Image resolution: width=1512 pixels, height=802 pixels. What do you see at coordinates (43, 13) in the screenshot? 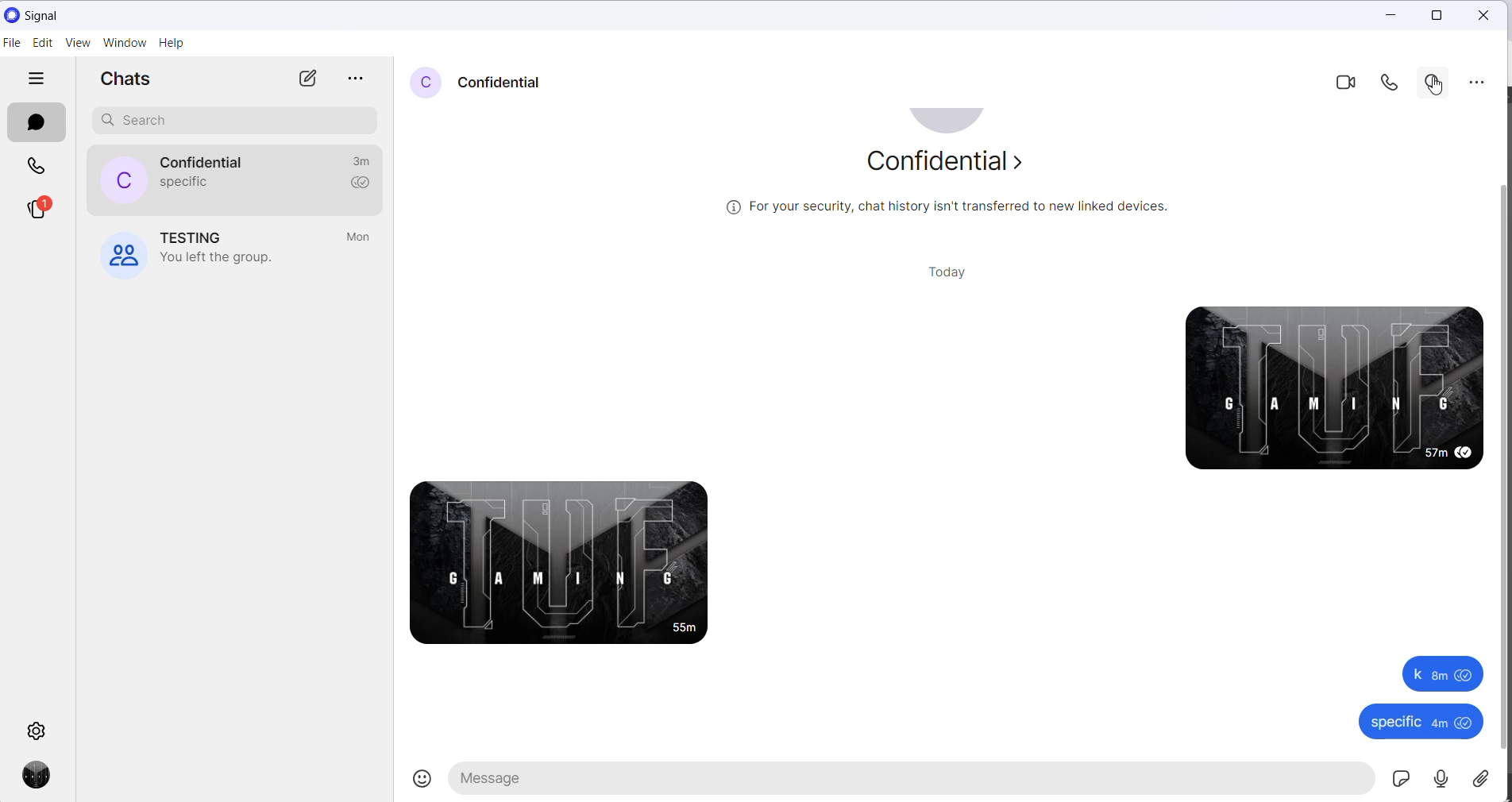
I see `application name and logo` at bounding box center [43, 13].